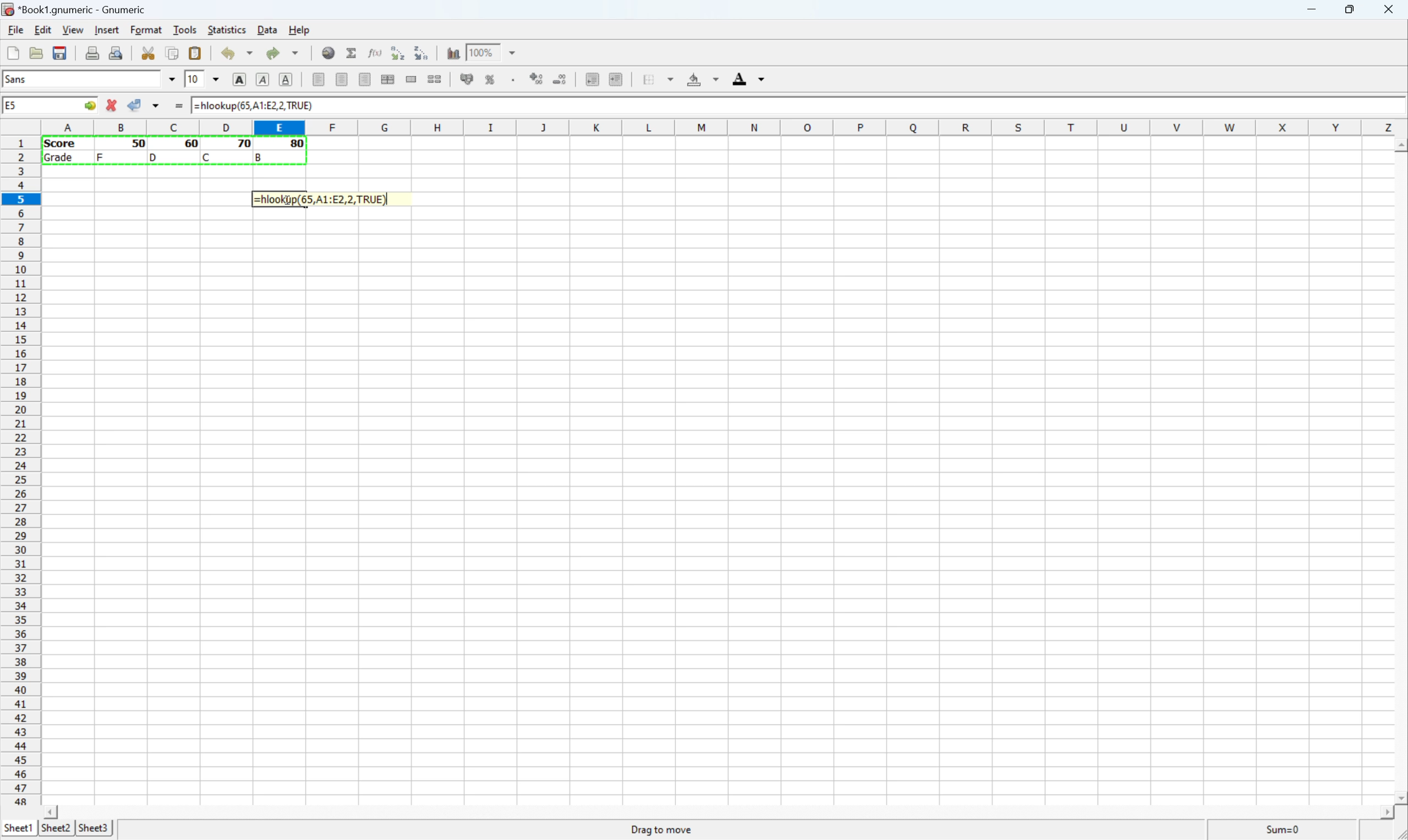  What do you see at coordinates (241, 144) in the screenshot?
I see `70` at bounding box center [241, 144].